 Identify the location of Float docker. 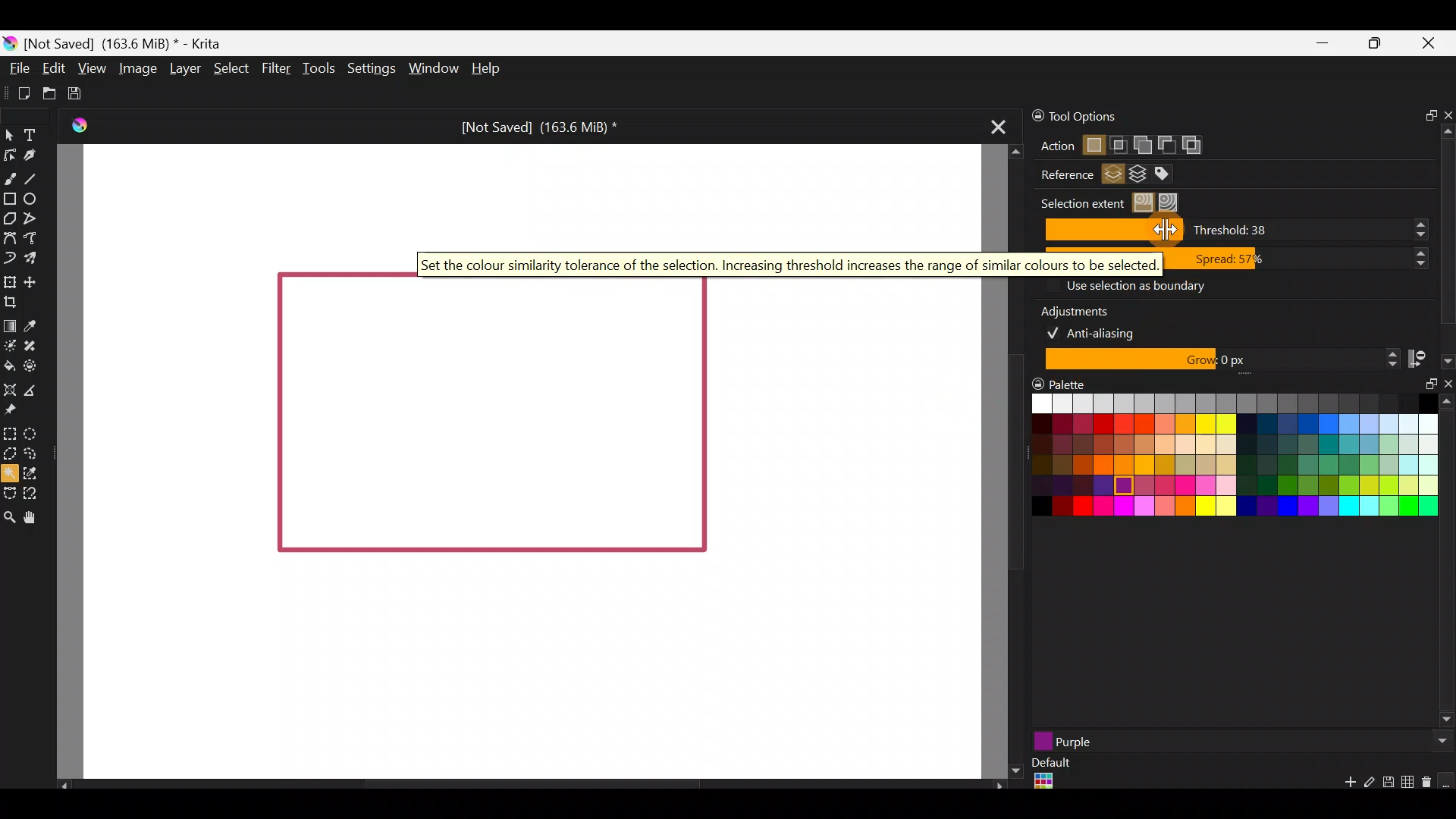
(1424, 391).